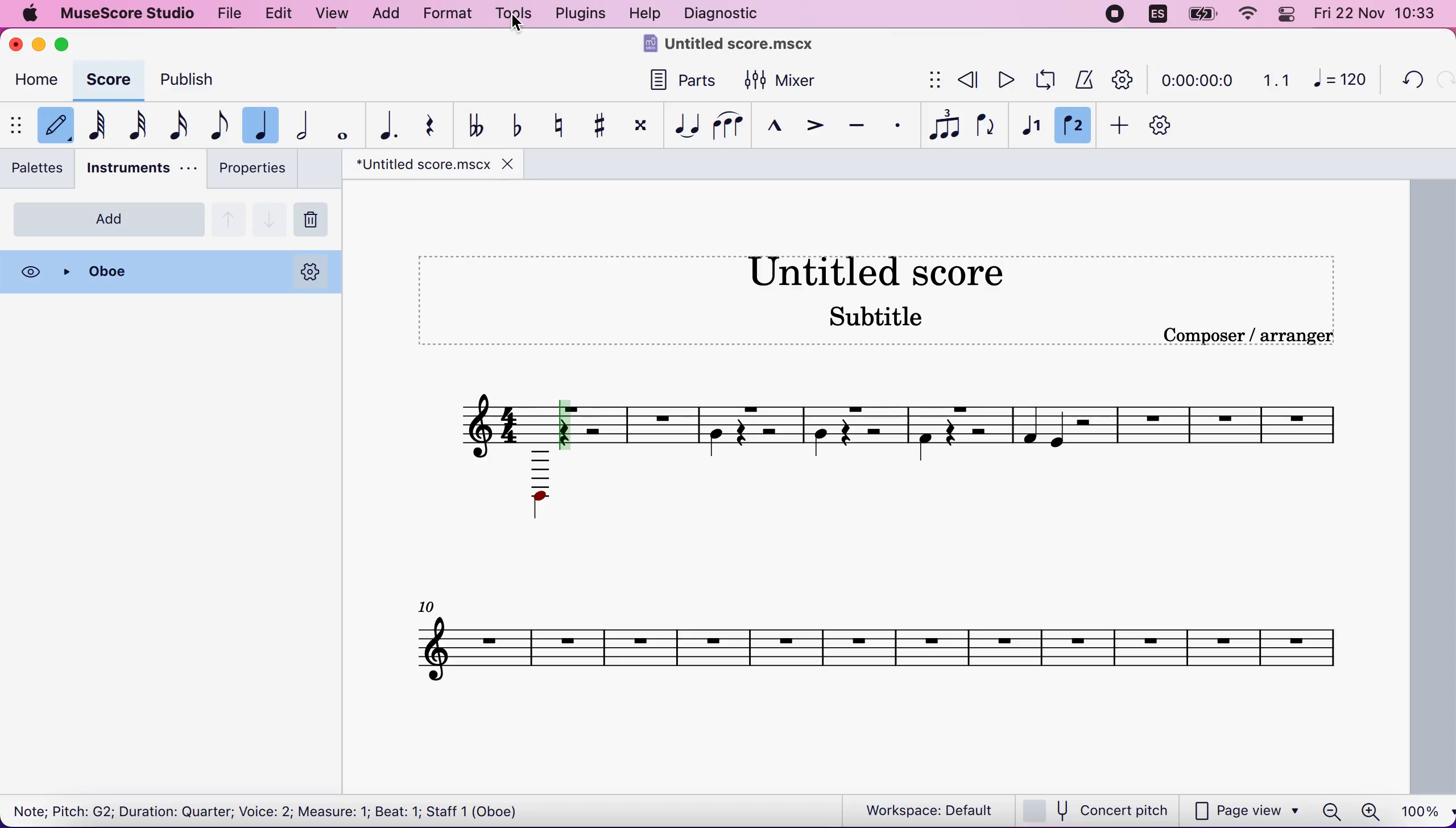 The width and height of the screenshot is (1456, 828). Describe the element at coordinates (390, 14) in the screenshot. I see `add` at that location.